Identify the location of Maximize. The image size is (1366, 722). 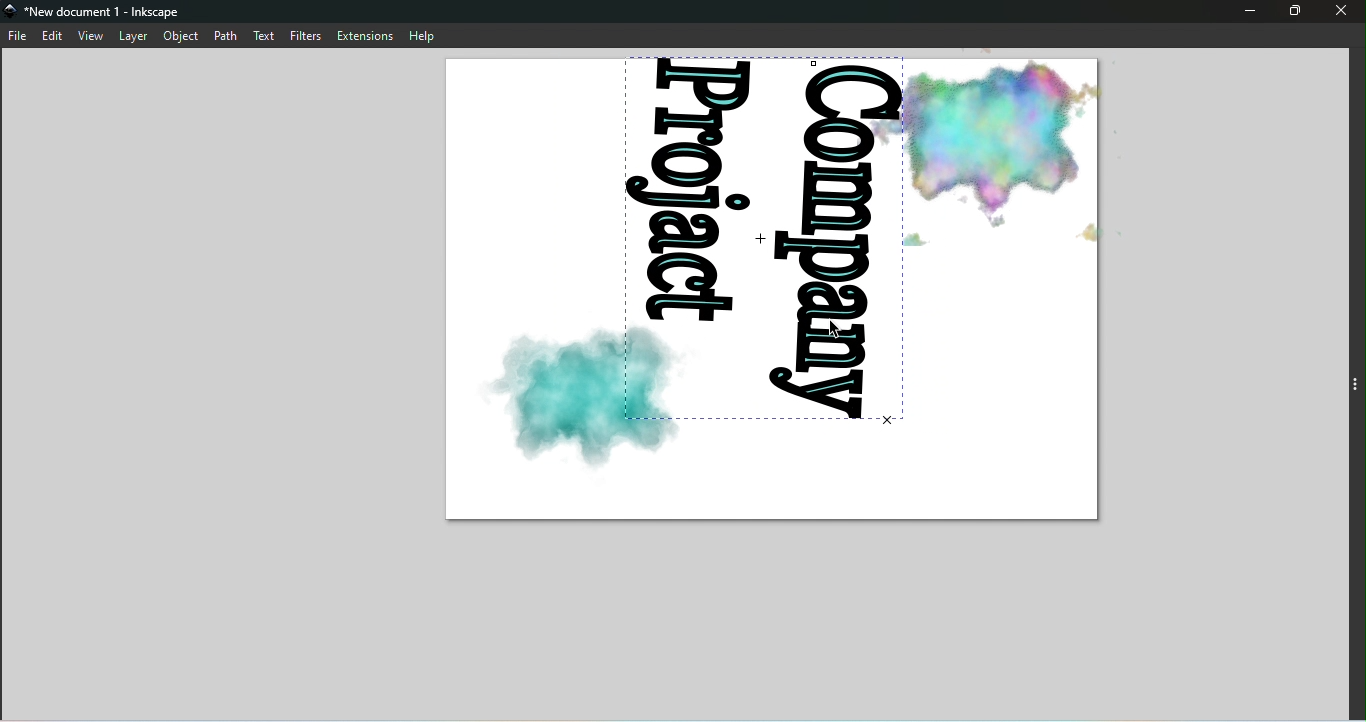
(1294, 11).